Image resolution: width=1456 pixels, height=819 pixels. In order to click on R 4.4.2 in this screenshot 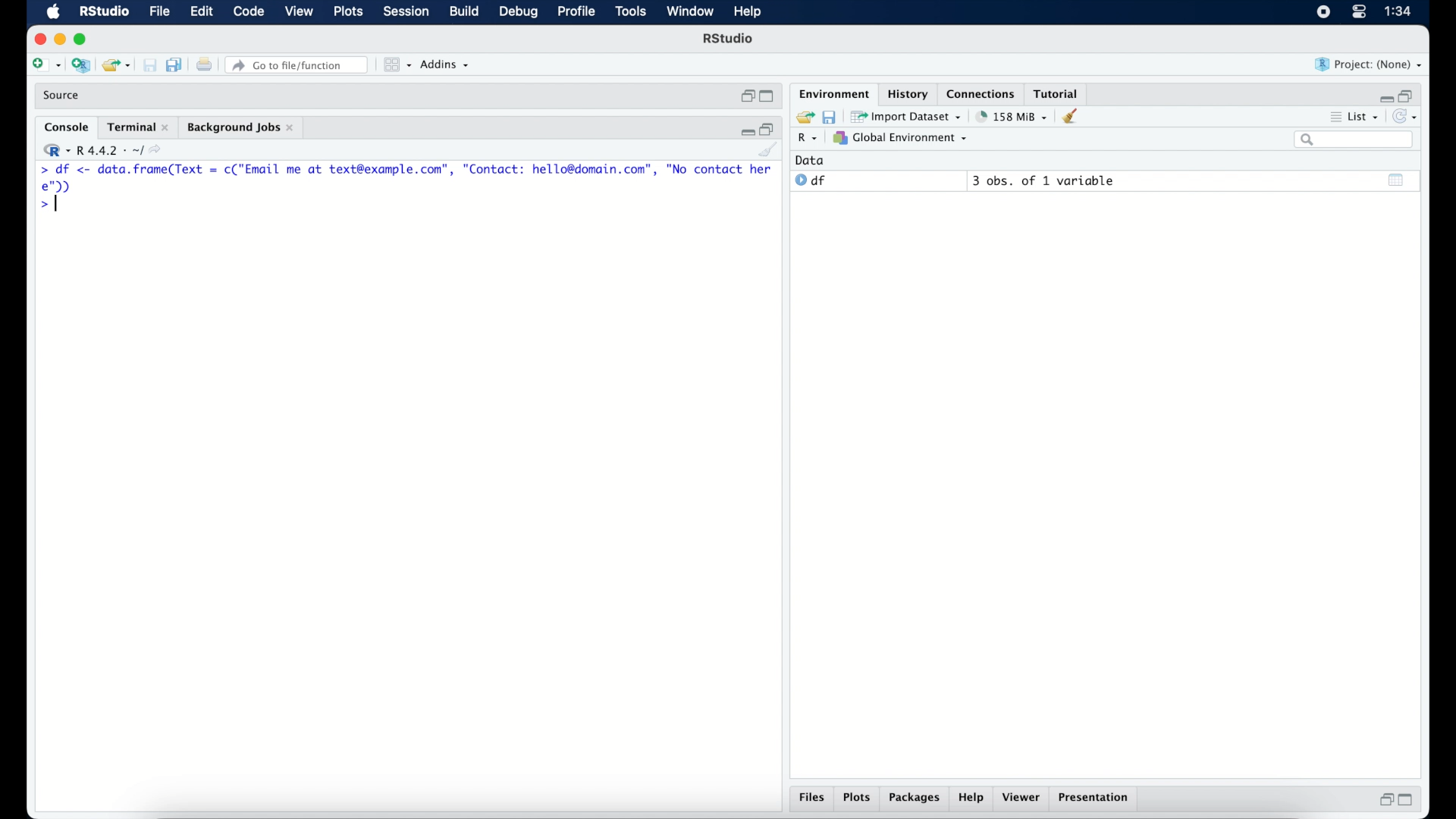, I will do `click(105, 150)`.